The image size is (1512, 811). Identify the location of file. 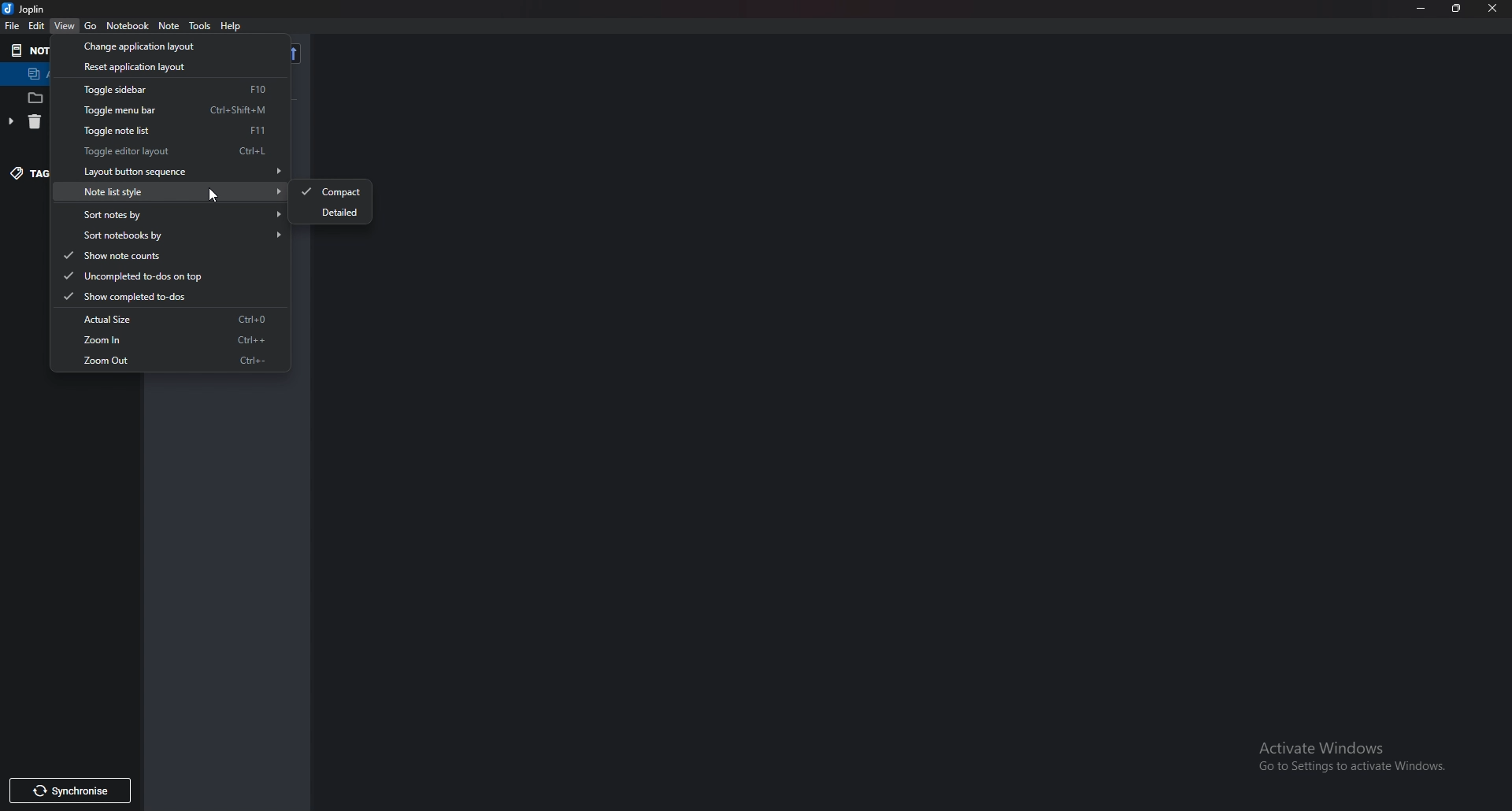
(10, 27).